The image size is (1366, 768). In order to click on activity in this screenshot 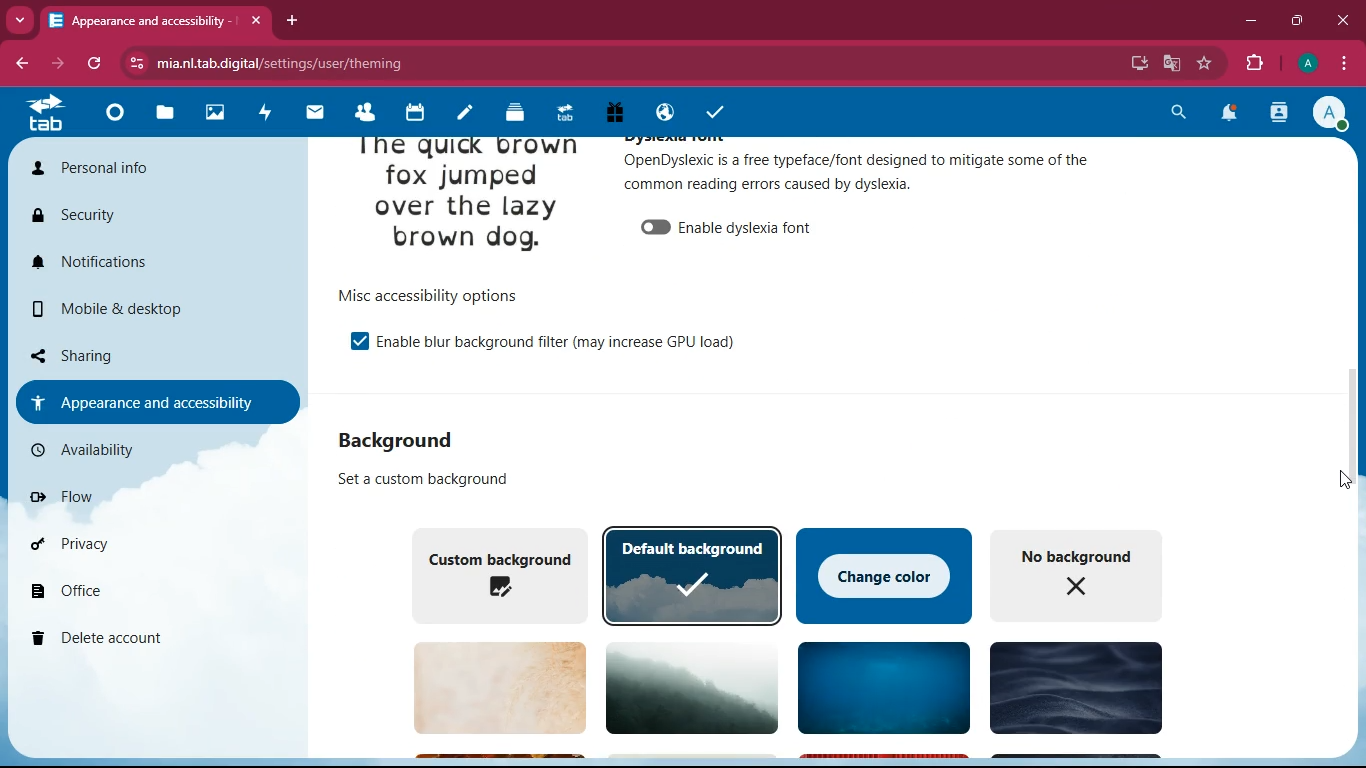, I will do `click(1280, 113)`.